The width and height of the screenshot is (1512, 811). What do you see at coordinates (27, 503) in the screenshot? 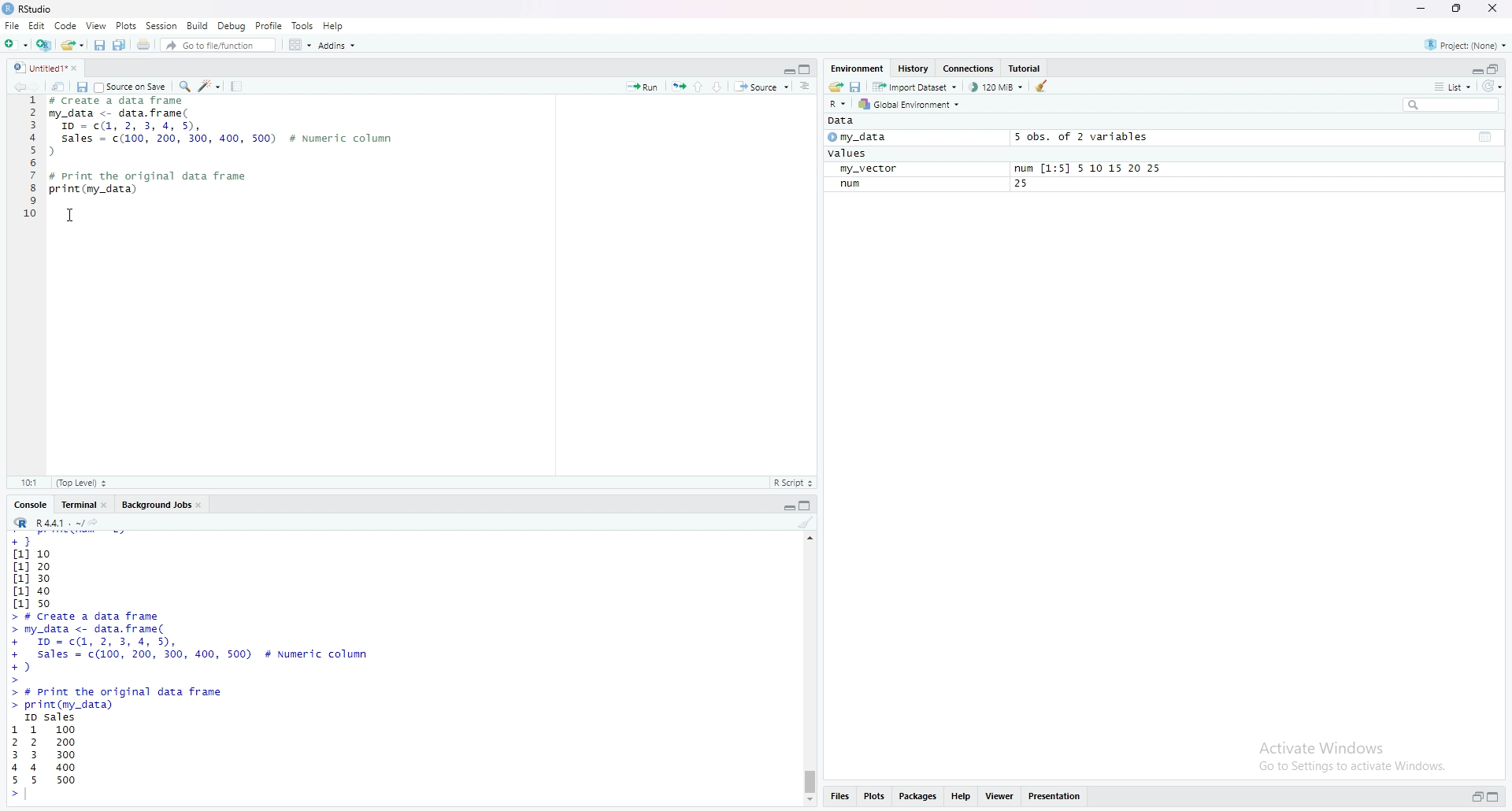
I see `console` at bounding box center [27, 503].